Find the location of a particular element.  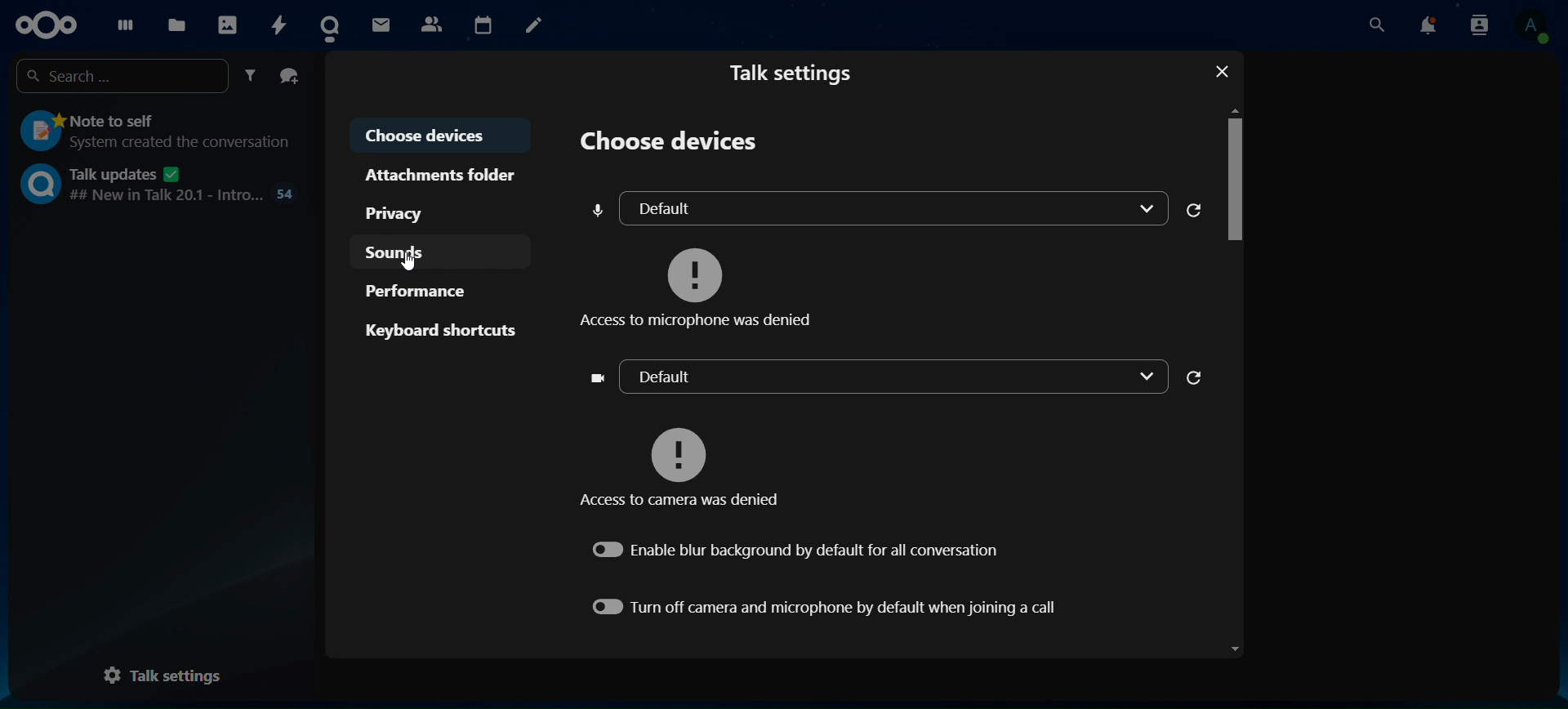

enable blur background by default for all conversation is located at coordinates (793, 550).